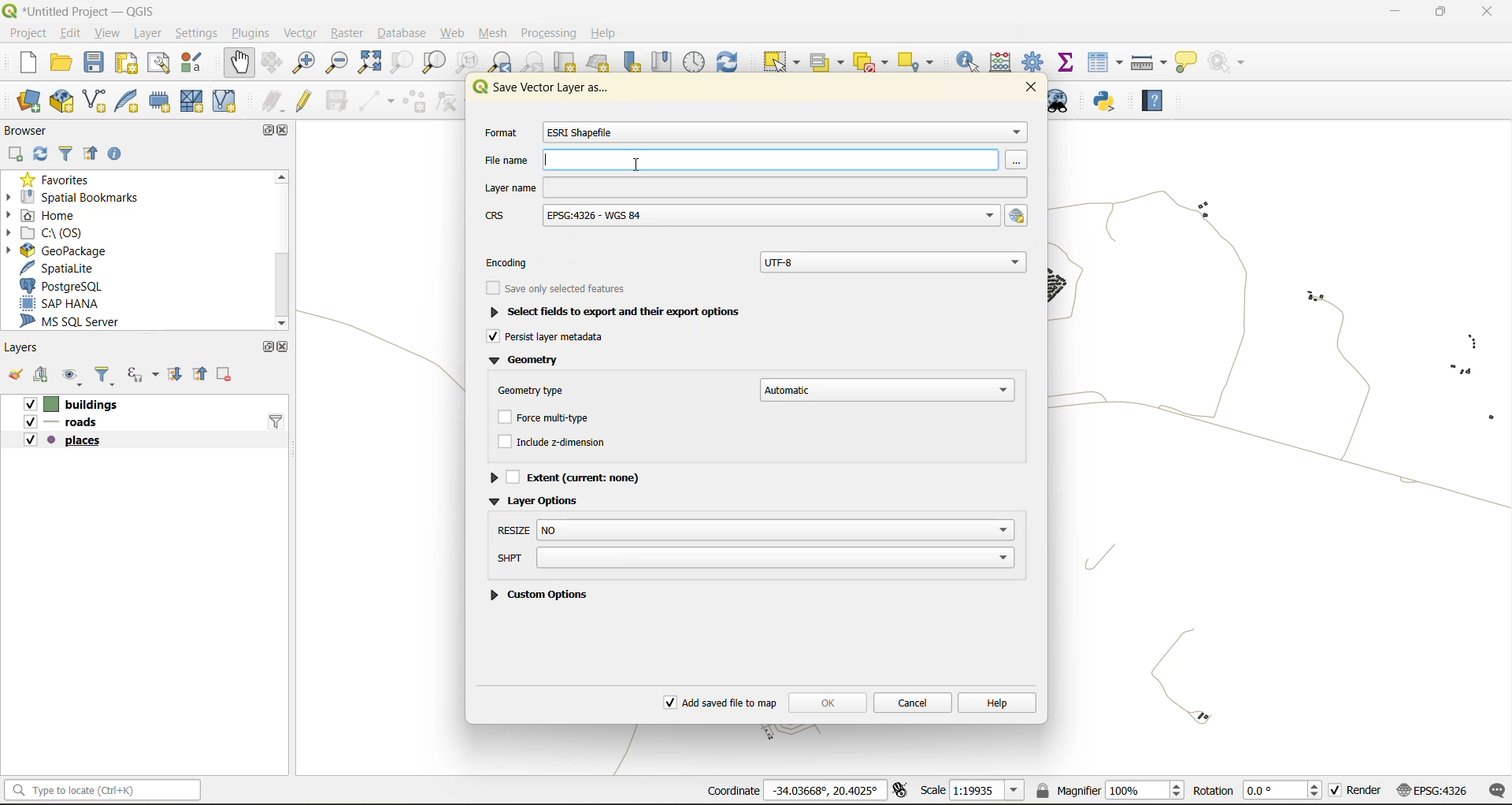  Describe the element at coordinates (61, 102) in the screenshot. I see `new geopackage layer` at that location.